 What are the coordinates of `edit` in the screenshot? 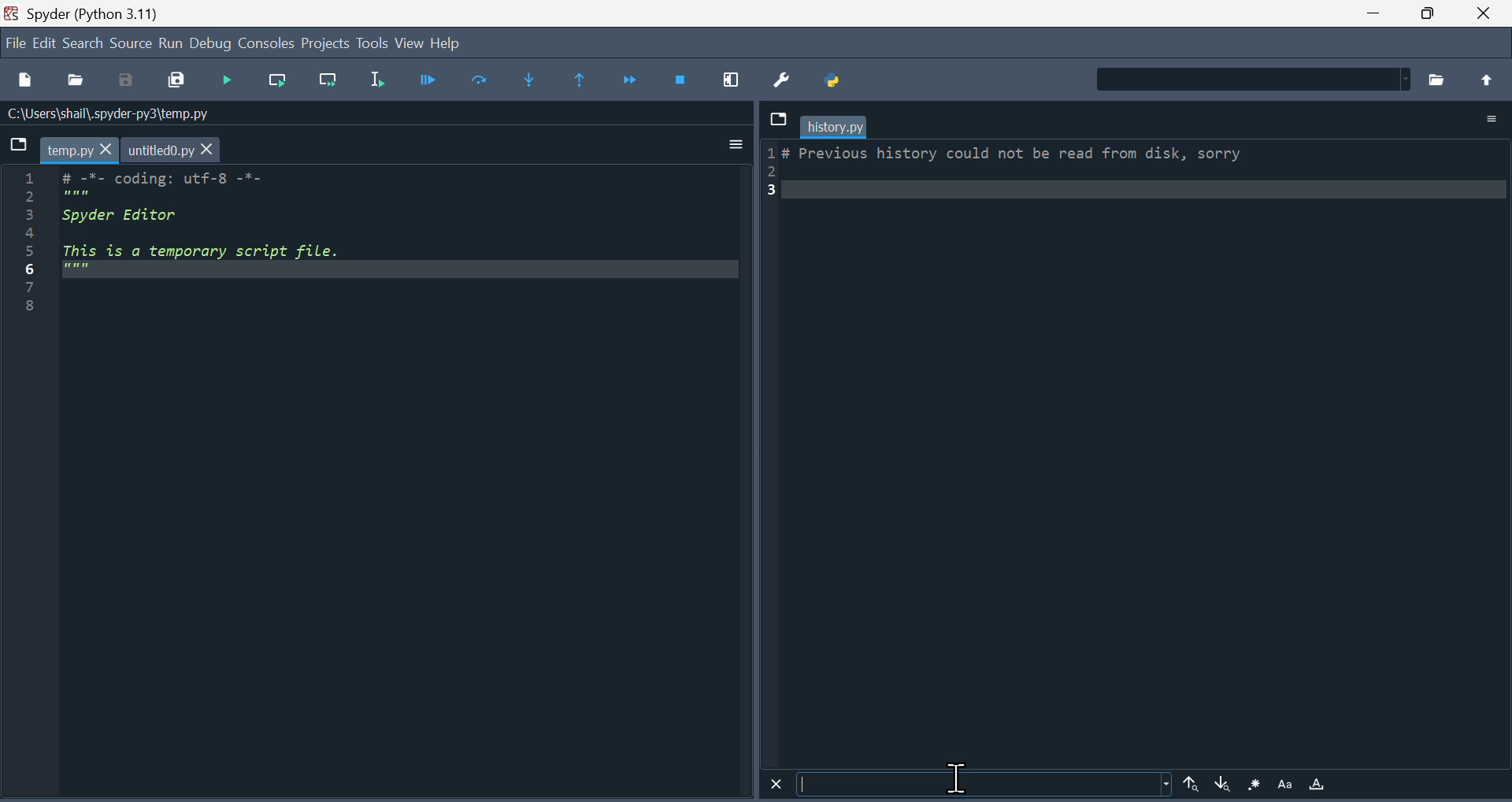 It's located at (44, 43).